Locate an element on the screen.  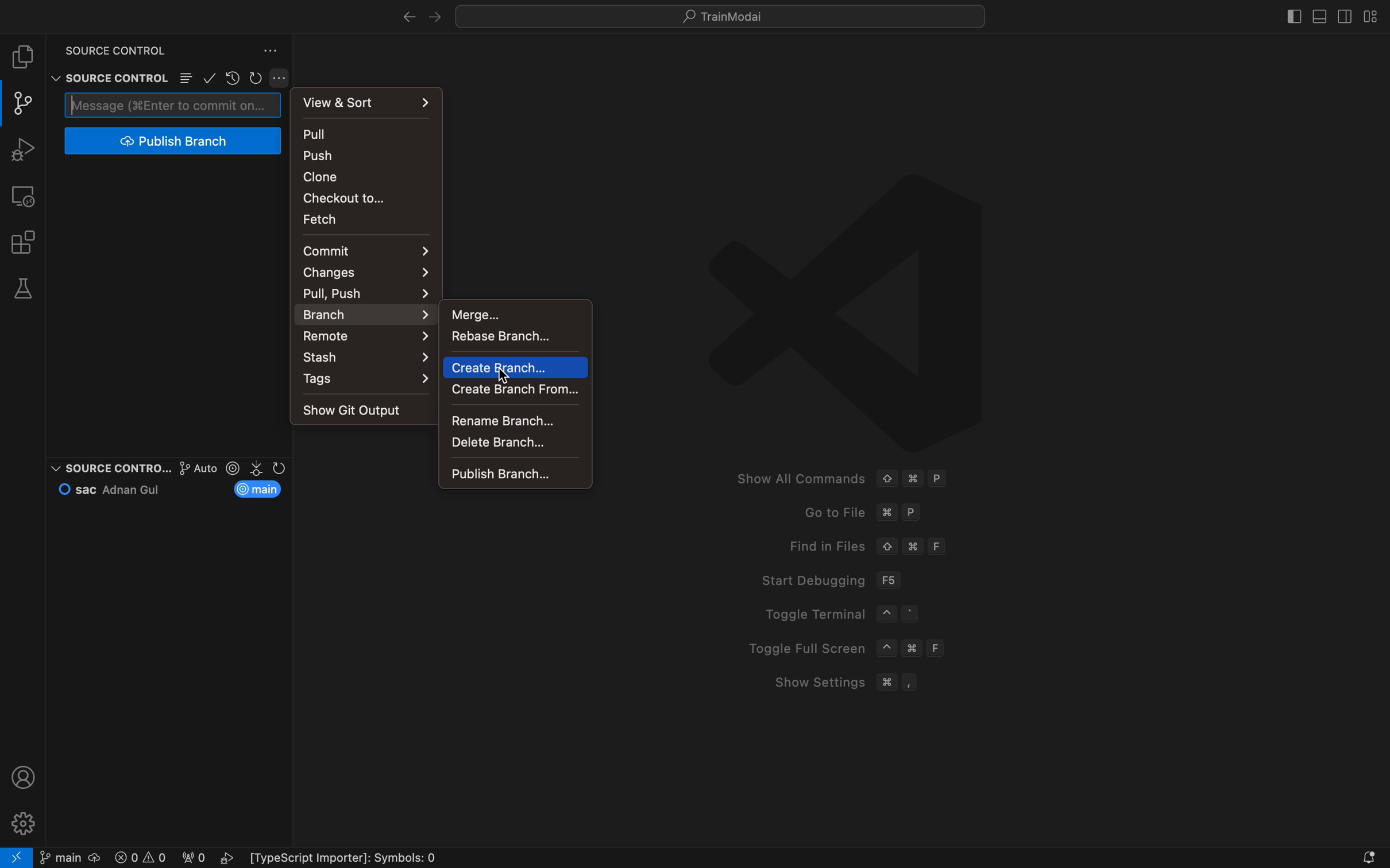
toggle bar is located at coordinates (1289, 14).